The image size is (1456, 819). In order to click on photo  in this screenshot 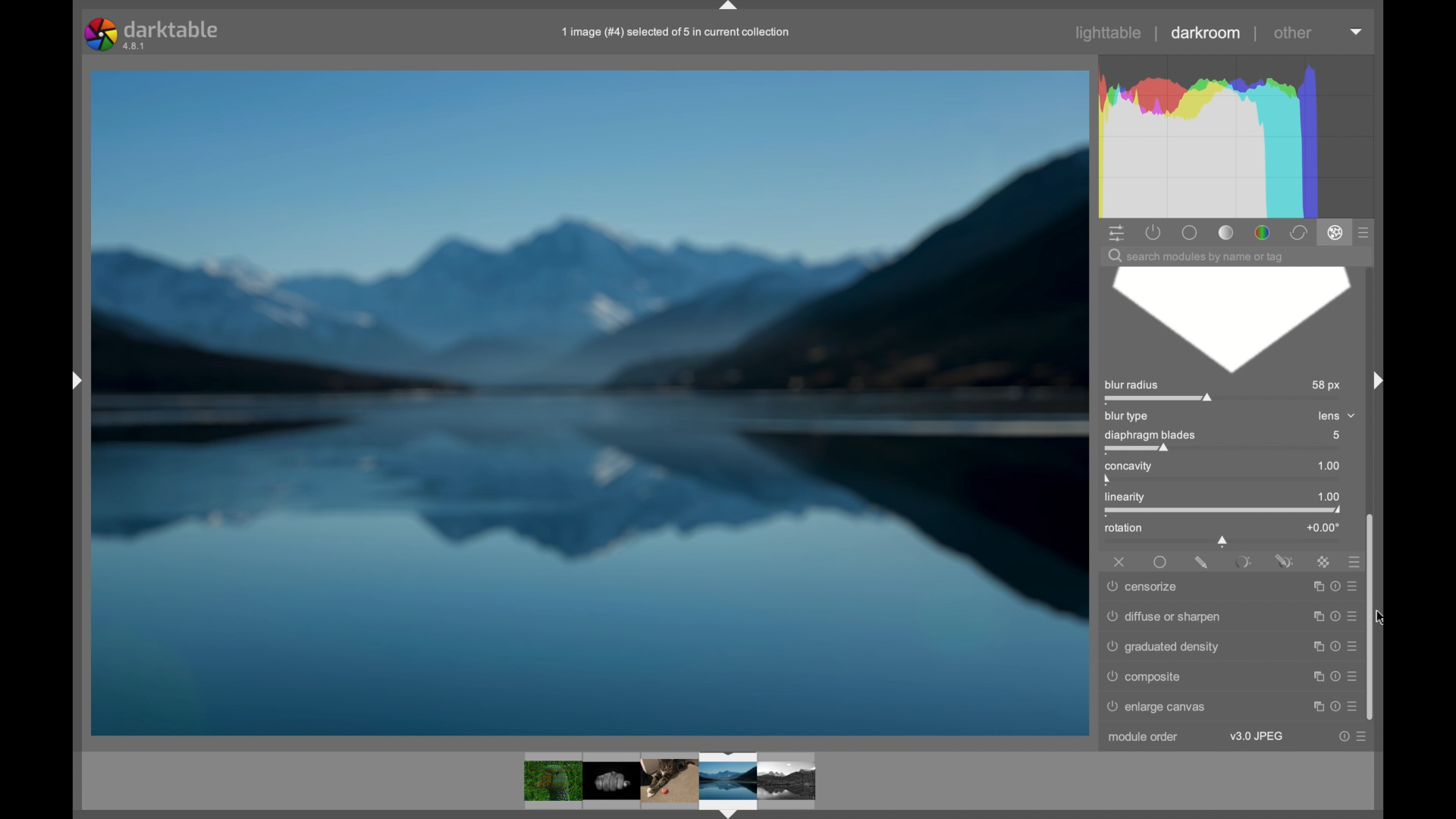, I will do `click(590, 401)`.